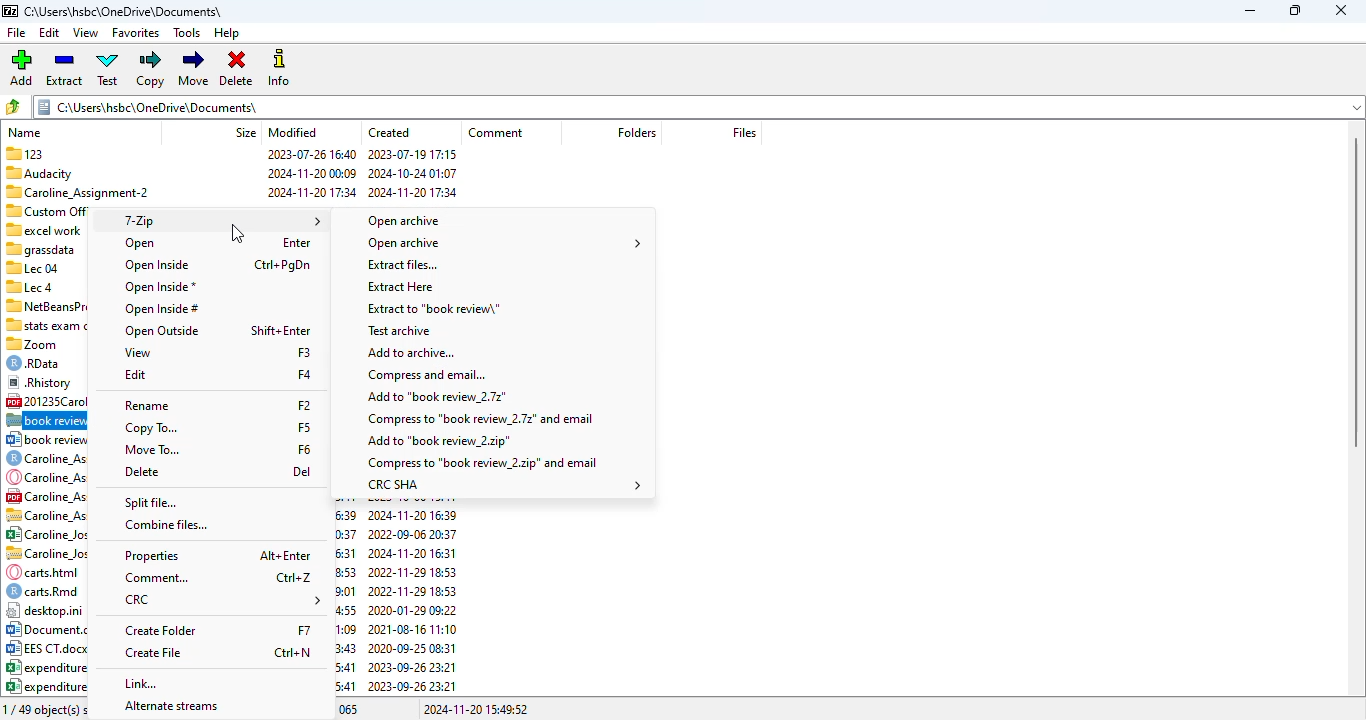  What do you see at coordinates (13, 106) in the screenshot?
I see `browse folders` at bounding box center [13, 106].